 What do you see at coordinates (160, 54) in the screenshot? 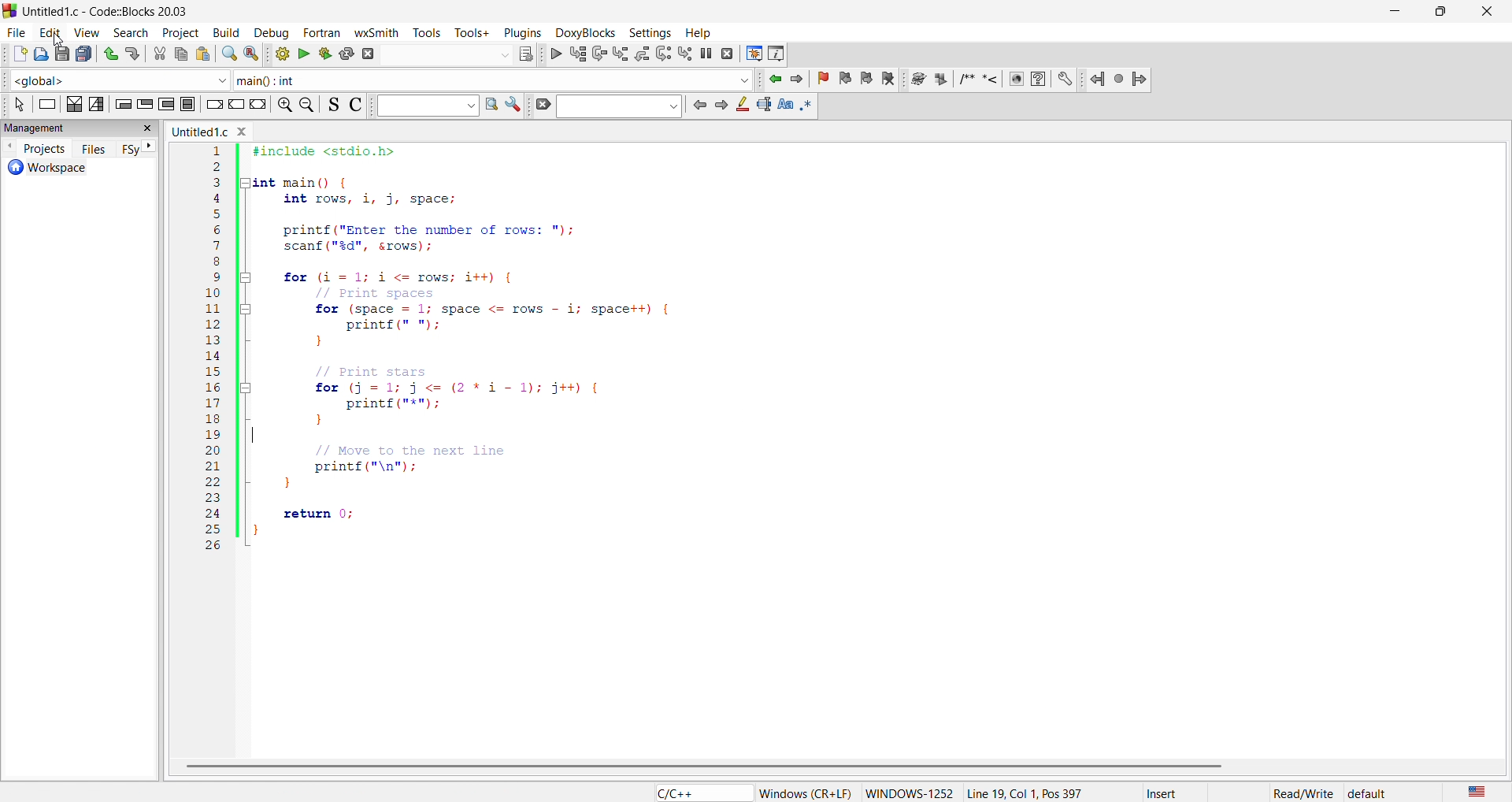
I see `cut` at bounding box center [160, 54].